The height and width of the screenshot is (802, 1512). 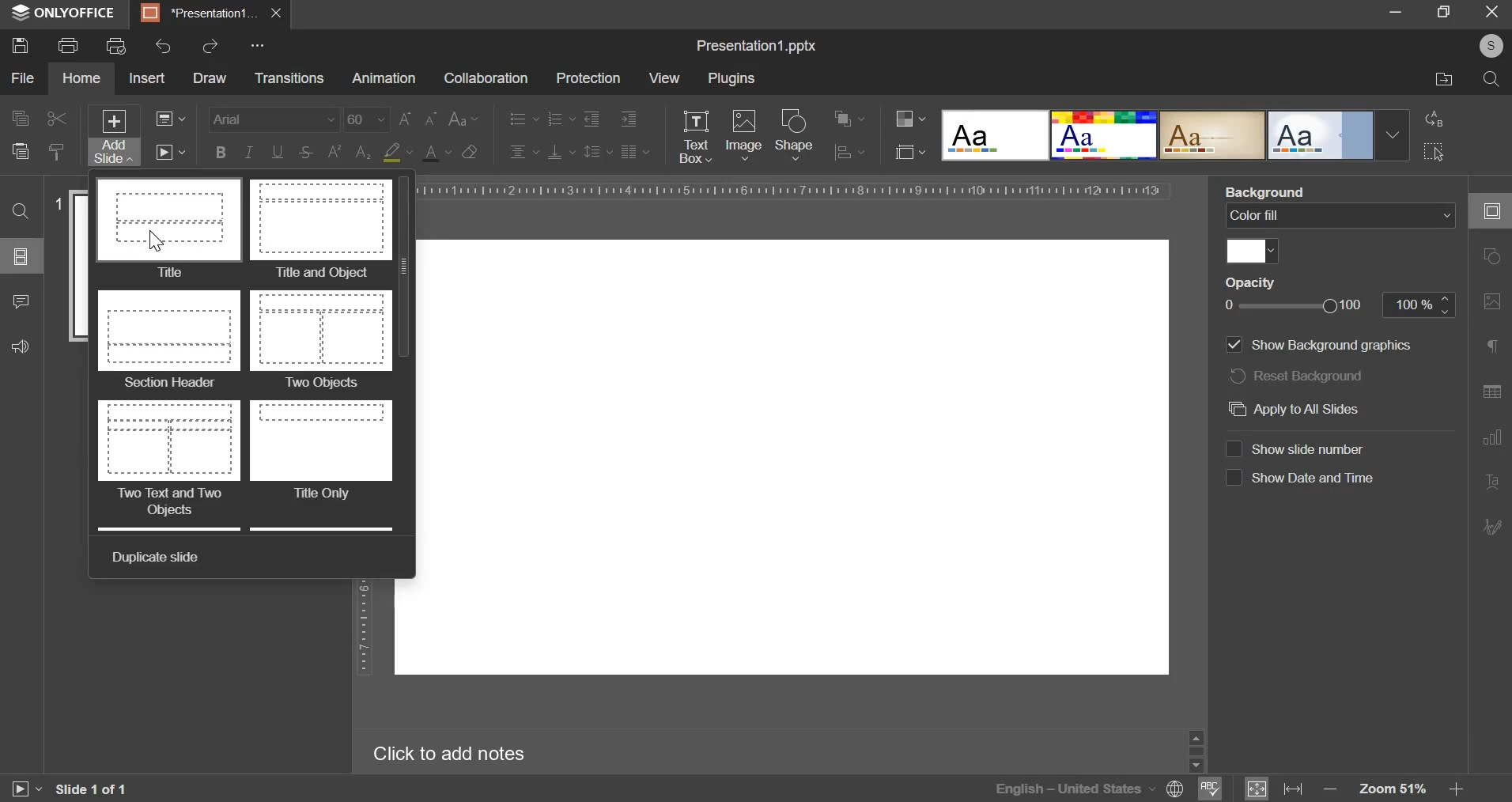 I want to click on copy, so click(x=20, y=119).